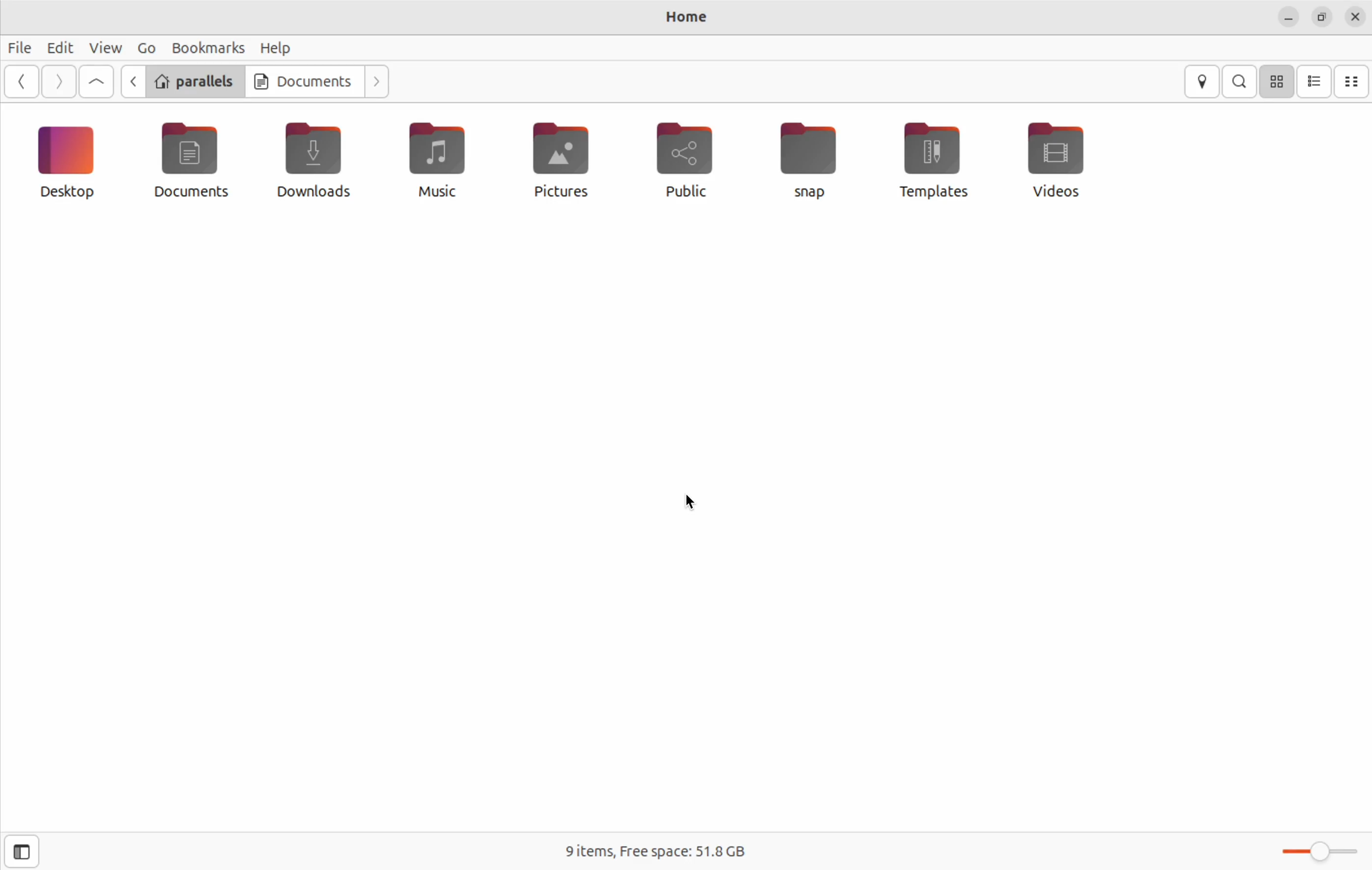 The width and height of the screenshot is (1372, 870). I want to click on toggle, so click(1317, 852).